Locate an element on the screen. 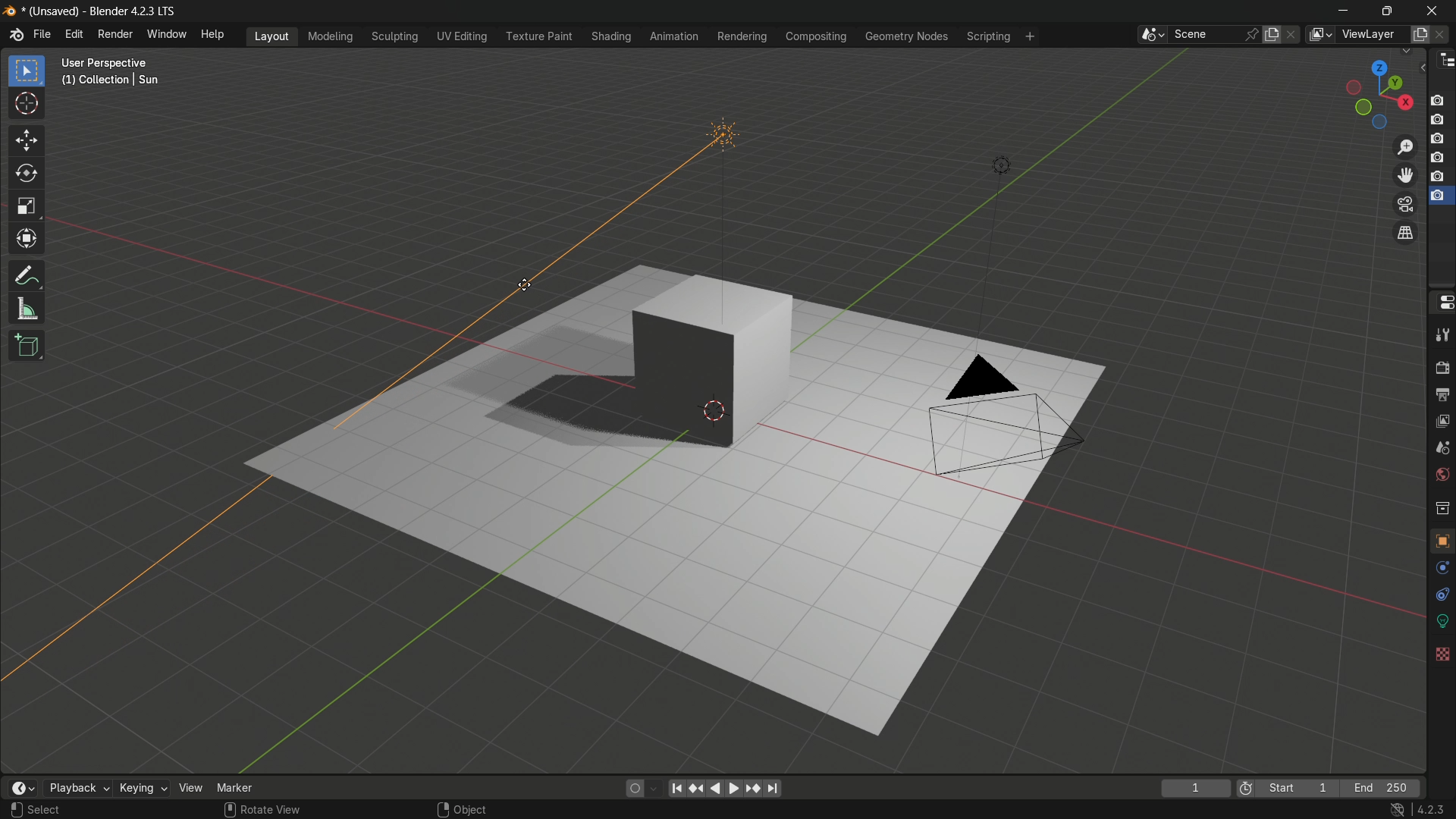  render is located at coordinates (115, 34).